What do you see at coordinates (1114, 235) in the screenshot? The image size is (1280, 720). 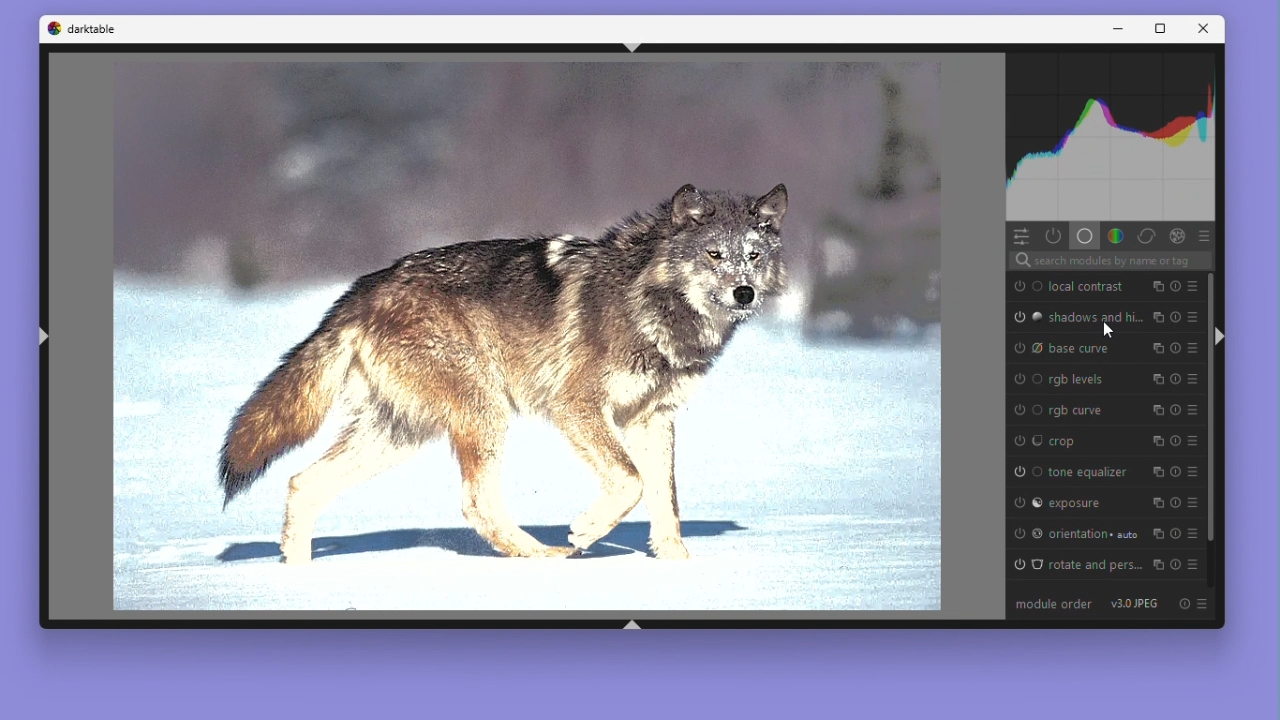 I see `Colours` at bounding box center [1114, 235].